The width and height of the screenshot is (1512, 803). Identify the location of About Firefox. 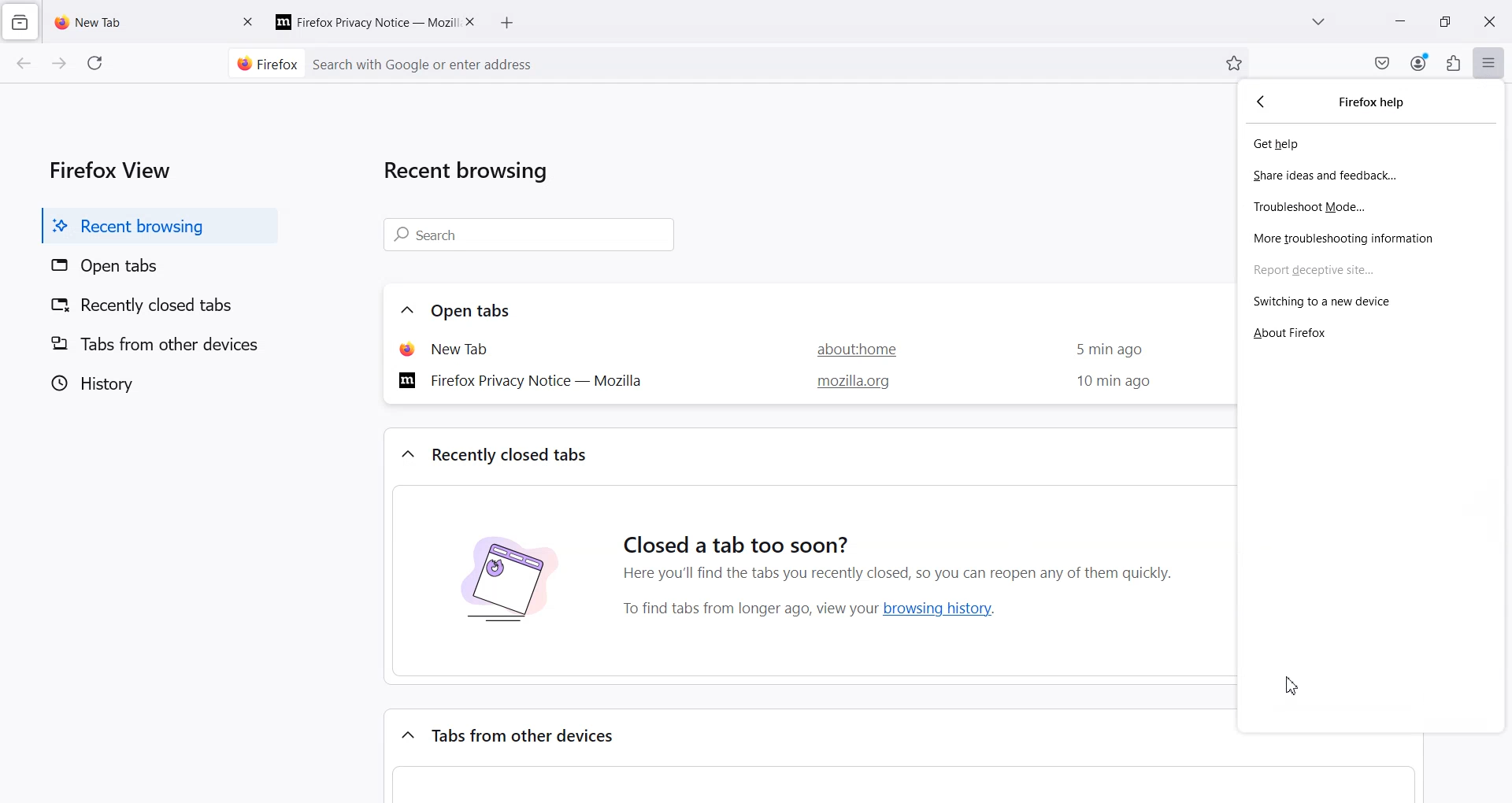
(1372, 331).